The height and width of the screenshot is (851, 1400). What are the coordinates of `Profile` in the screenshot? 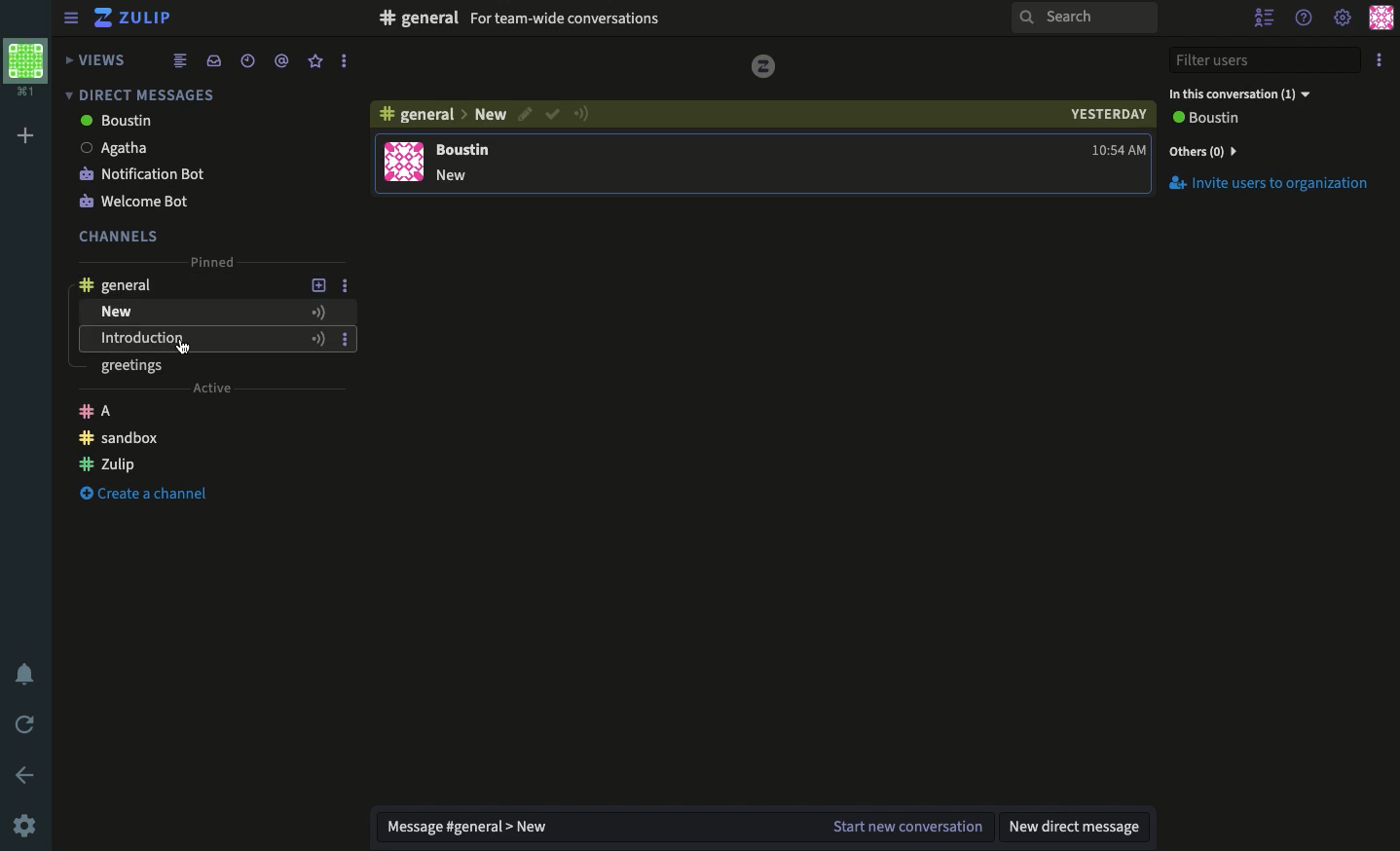 It's located at (24, 65).